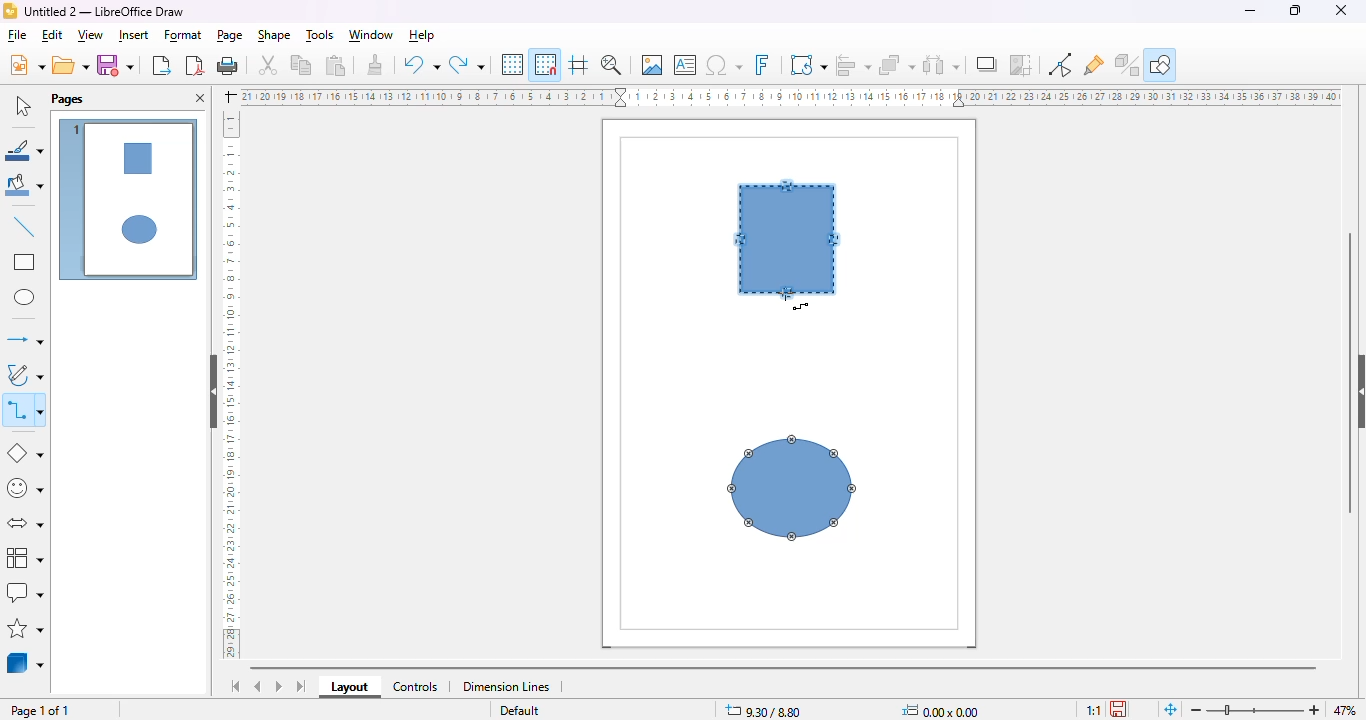 The height and width of the screenshot is (720, 1366). Describe the element at coordinates (25, 262) in the screenshot. I see `rectangle` at that location.